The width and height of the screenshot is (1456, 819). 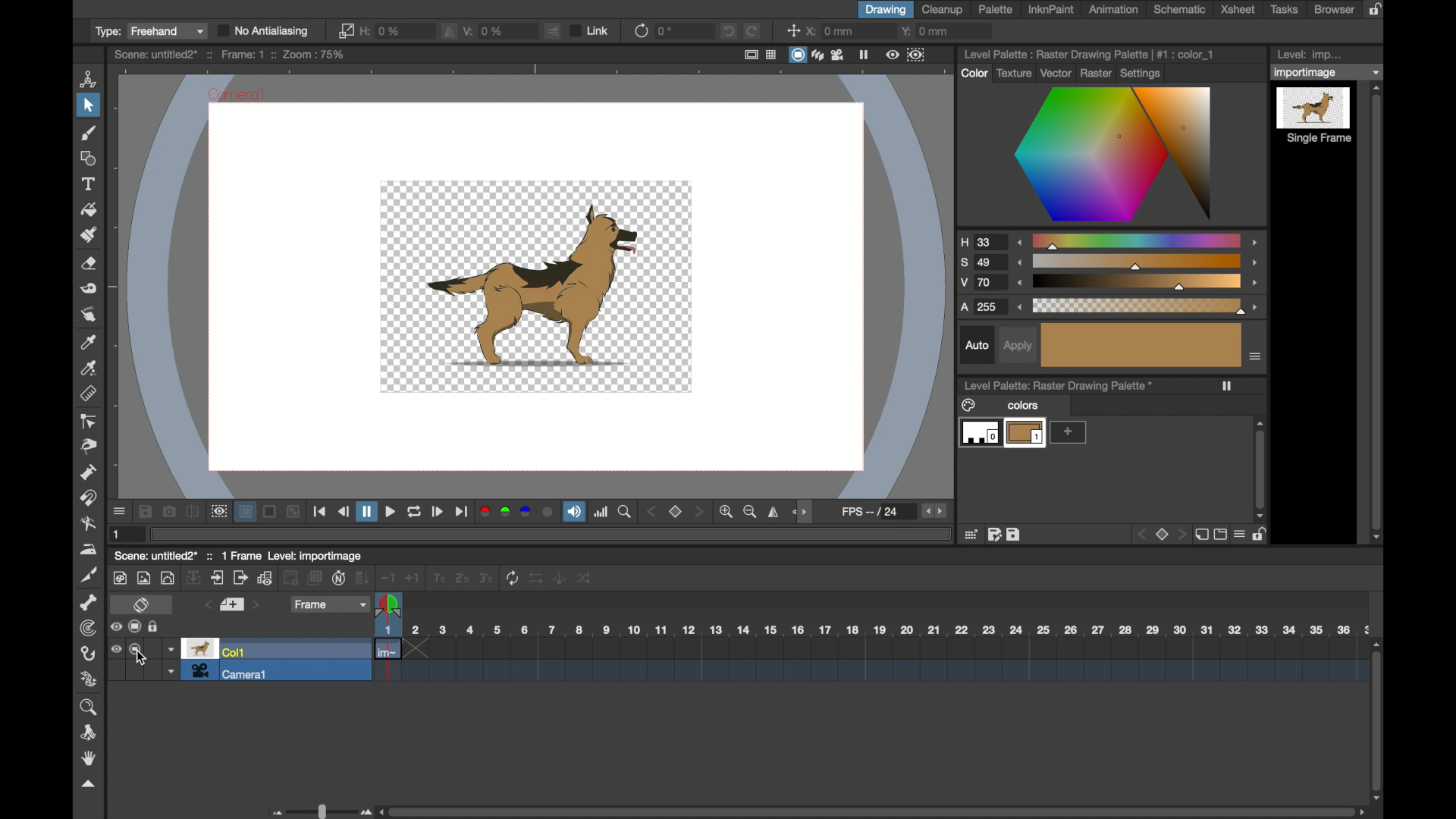 What do you see at coordinates (1200, 534) in the screenshot?
I see `new page` at bounding box center [1200, 534].